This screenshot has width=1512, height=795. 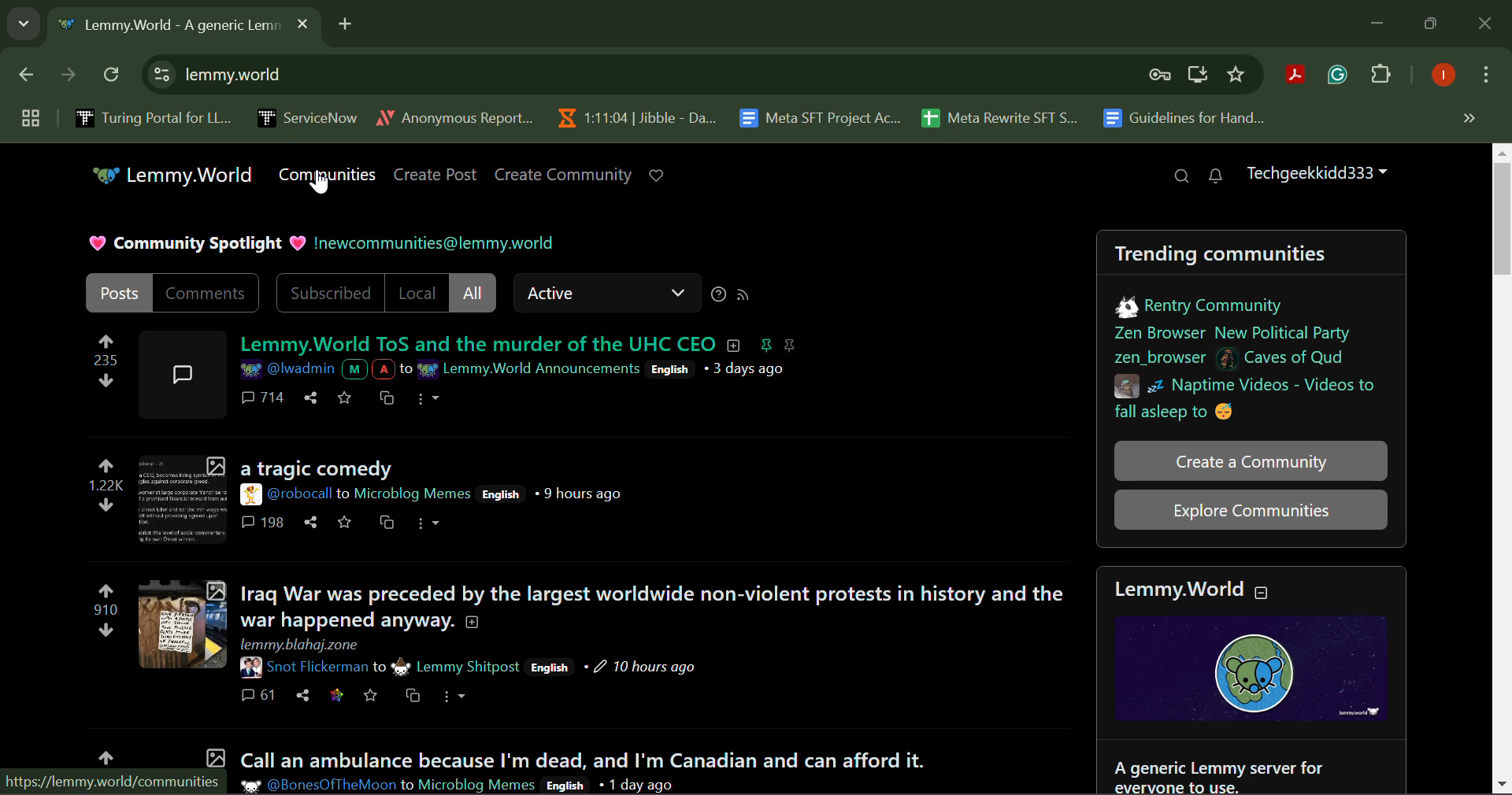 I want to click on Microblog Memes, so click(x=413, y=494).